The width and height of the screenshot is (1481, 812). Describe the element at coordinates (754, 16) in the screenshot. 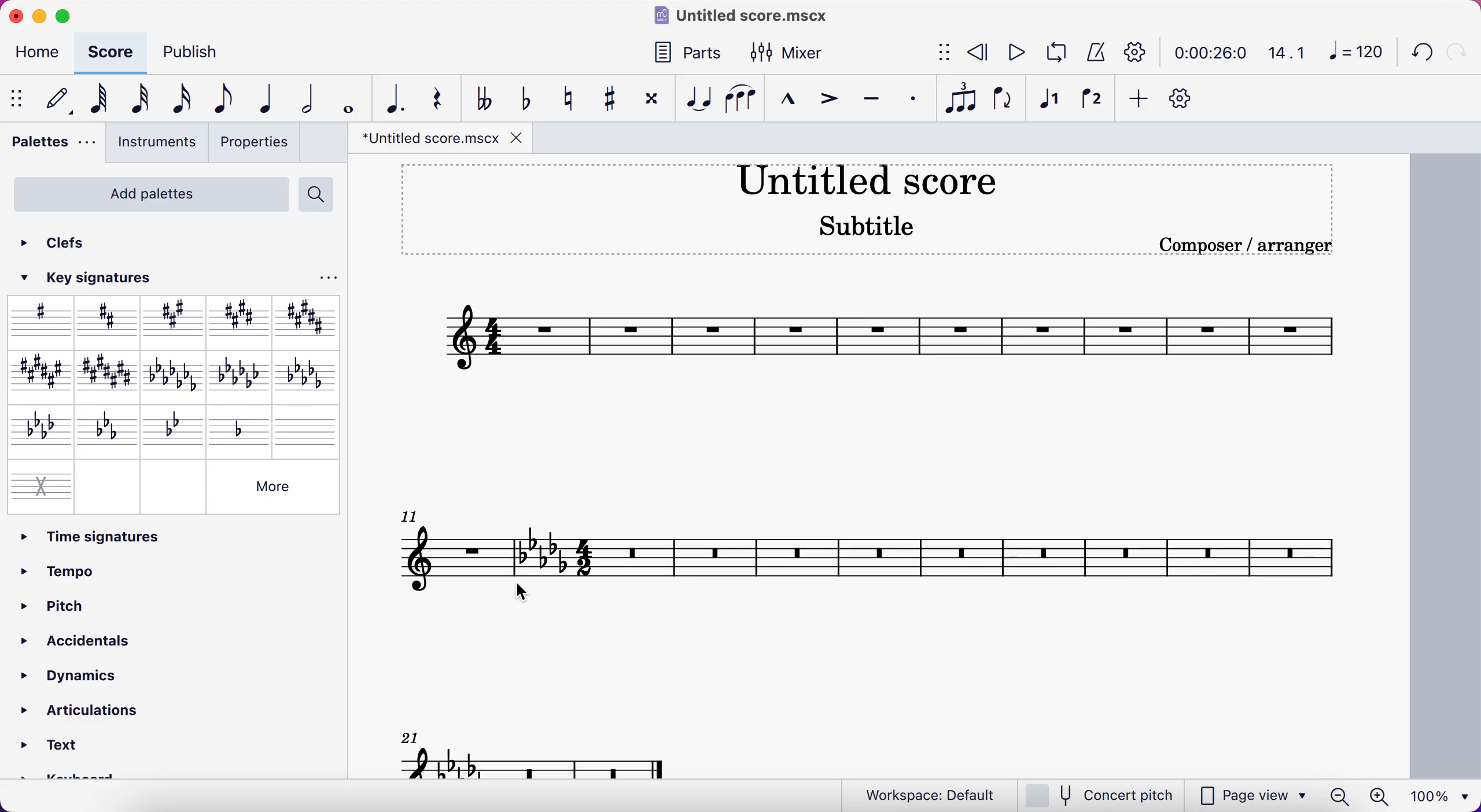

I see `title` at that location.